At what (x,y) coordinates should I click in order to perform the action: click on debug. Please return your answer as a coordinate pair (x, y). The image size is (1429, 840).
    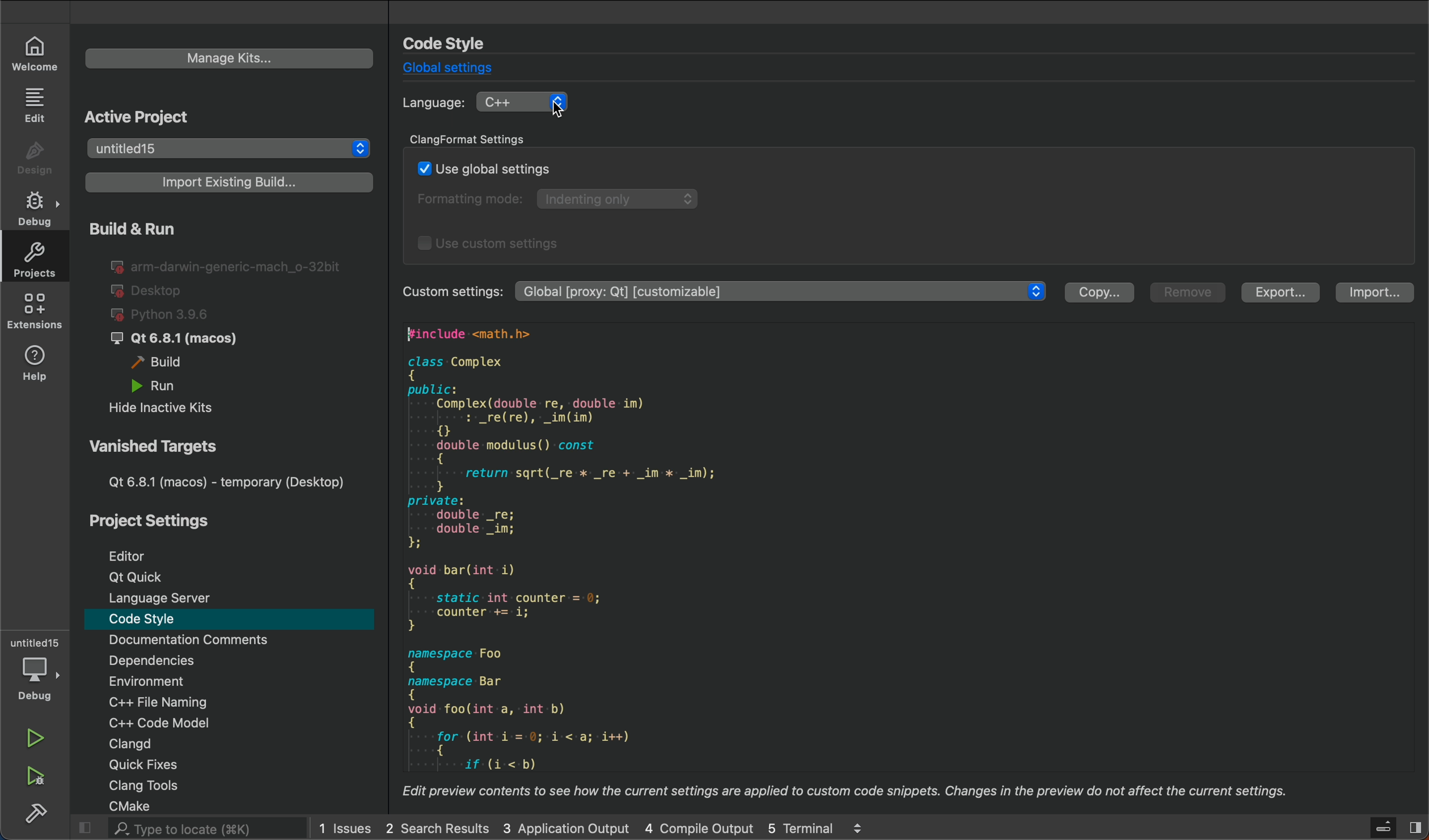
    Looking at the image, I should click on (34, 207).